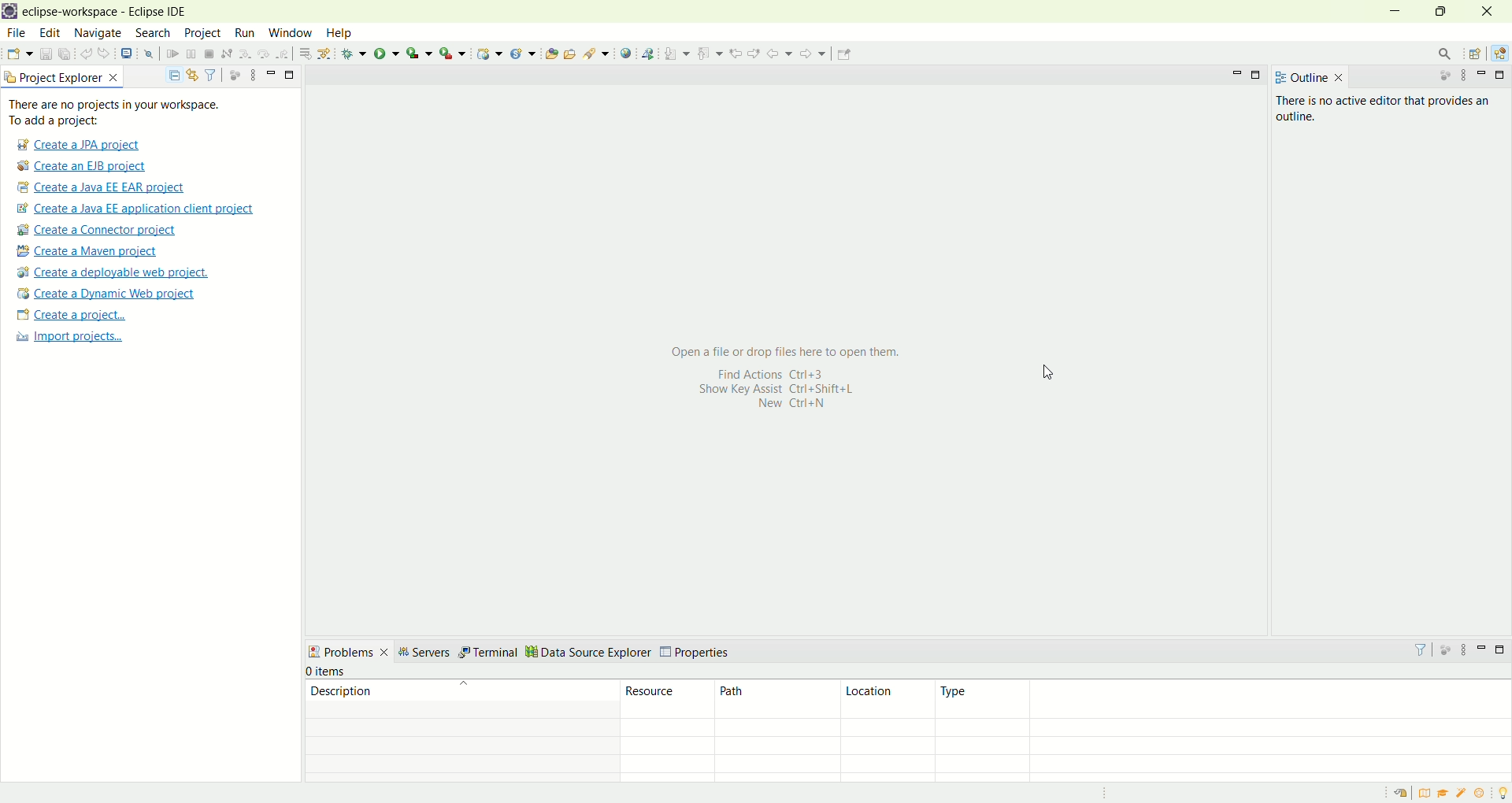  Describe the element at coordinates (262, 54) in the screenshot. I see `step over` at that location.